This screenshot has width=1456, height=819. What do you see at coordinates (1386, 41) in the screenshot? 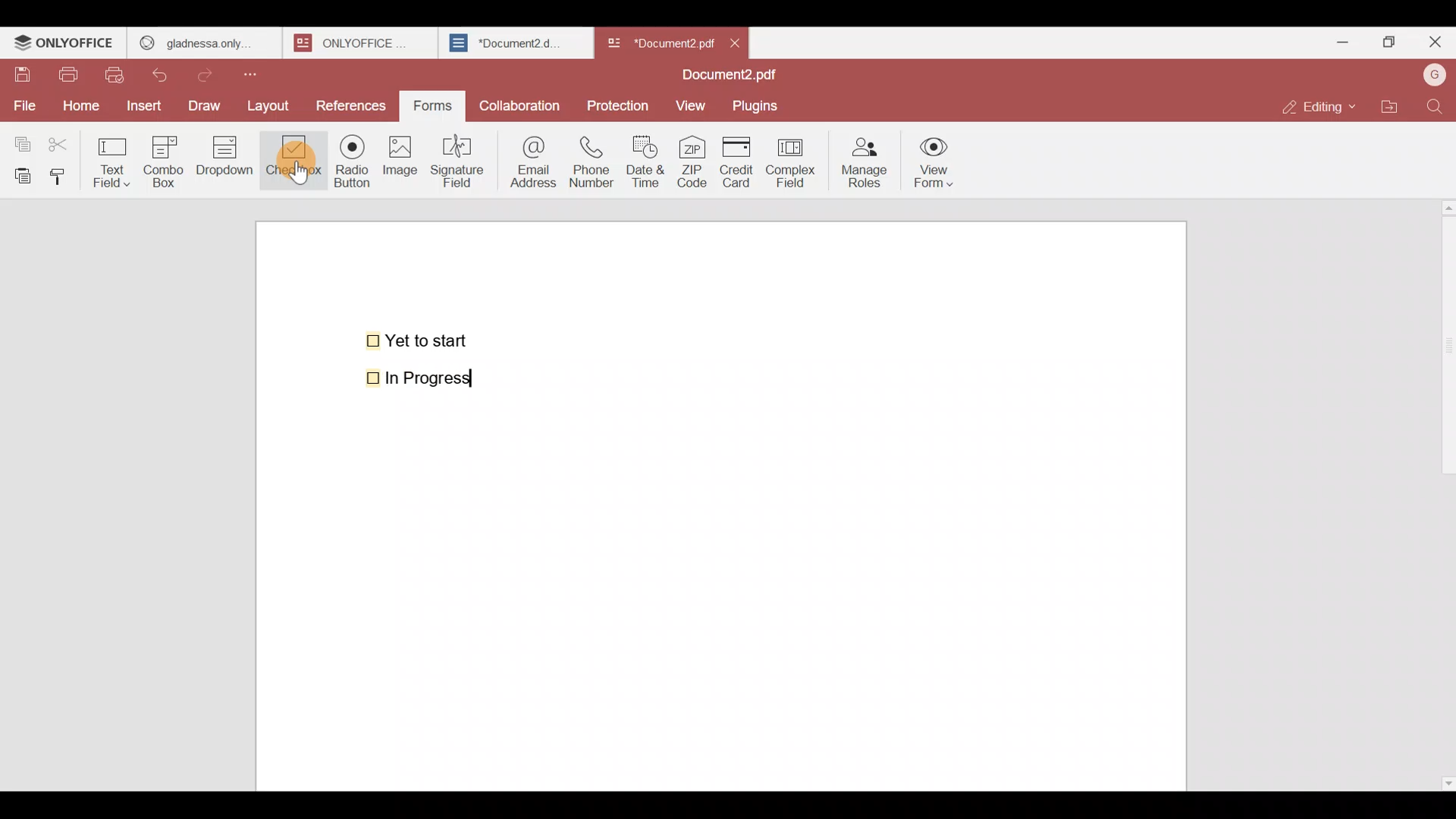
I see `Maximize` at bounding box center [1386, 41].